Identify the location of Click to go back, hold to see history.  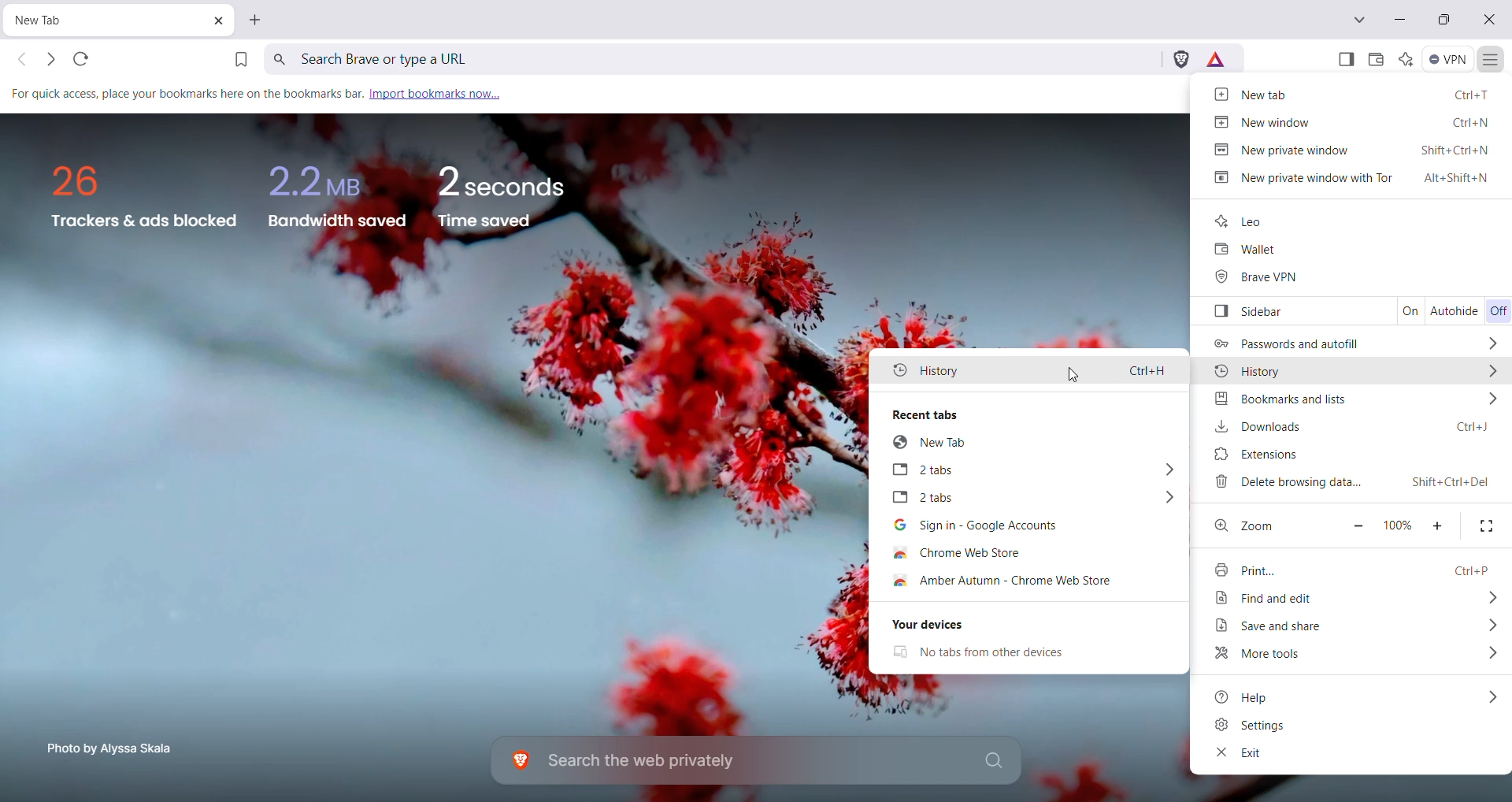
(18, 61).